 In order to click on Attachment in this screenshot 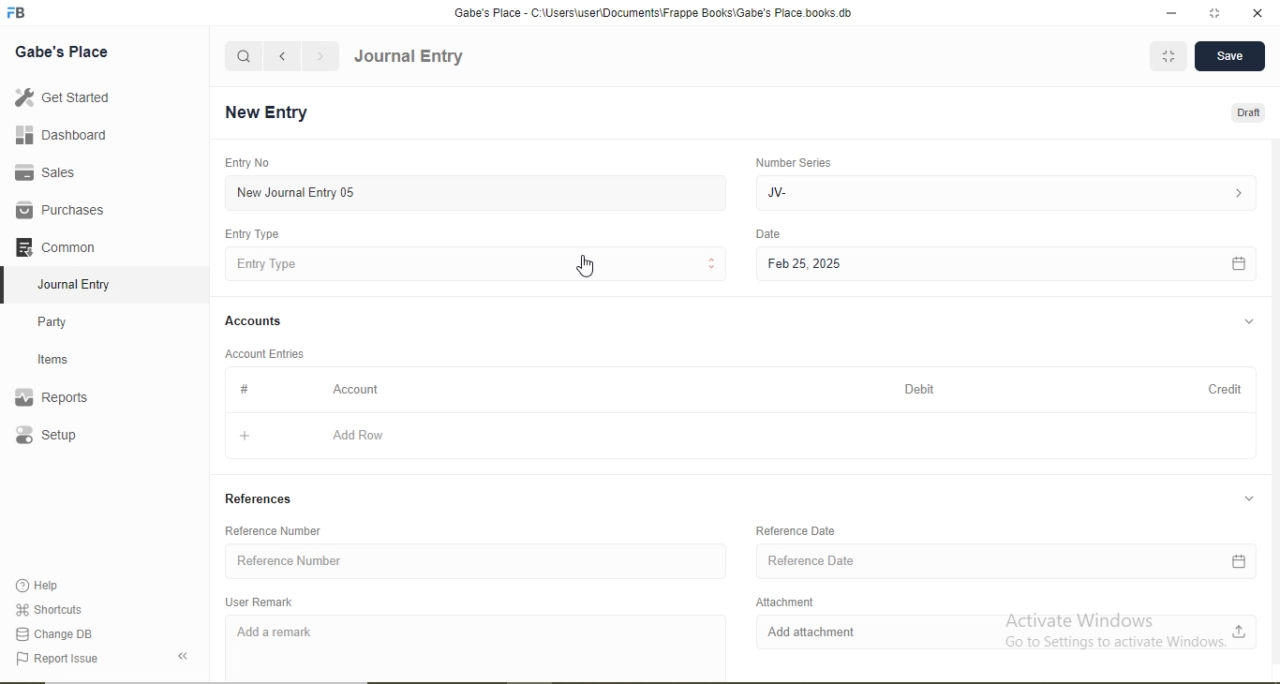, I will do `click(781, 600)`.